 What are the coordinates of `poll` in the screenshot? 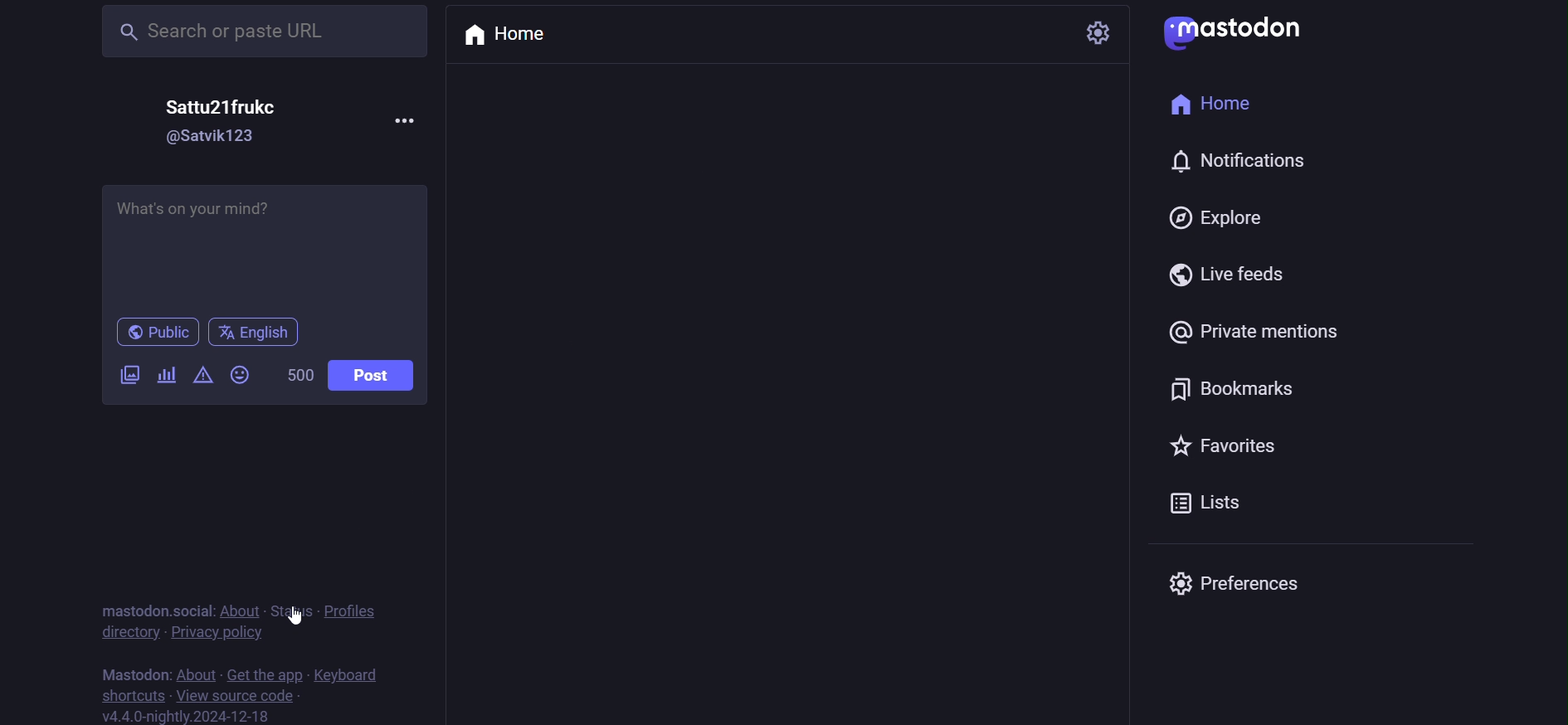 It's located at (168, 375).